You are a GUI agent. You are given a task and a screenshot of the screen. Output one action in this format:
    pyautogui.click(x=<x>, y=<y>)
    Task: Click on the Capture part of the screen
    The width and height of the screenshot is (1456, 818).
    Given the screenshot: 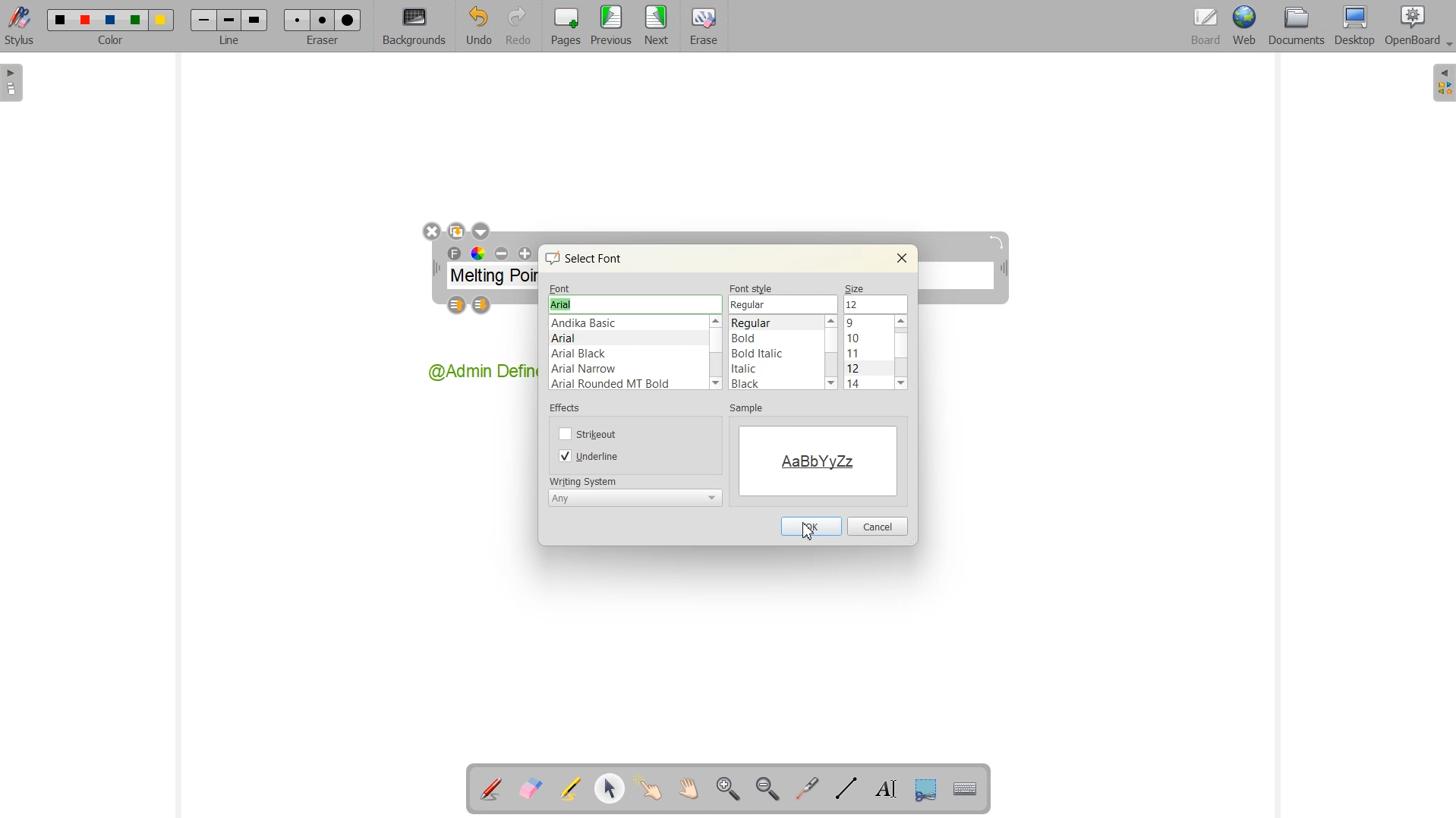 What is the action you would take?
    pyautogui.click(x=923, y=788)
    